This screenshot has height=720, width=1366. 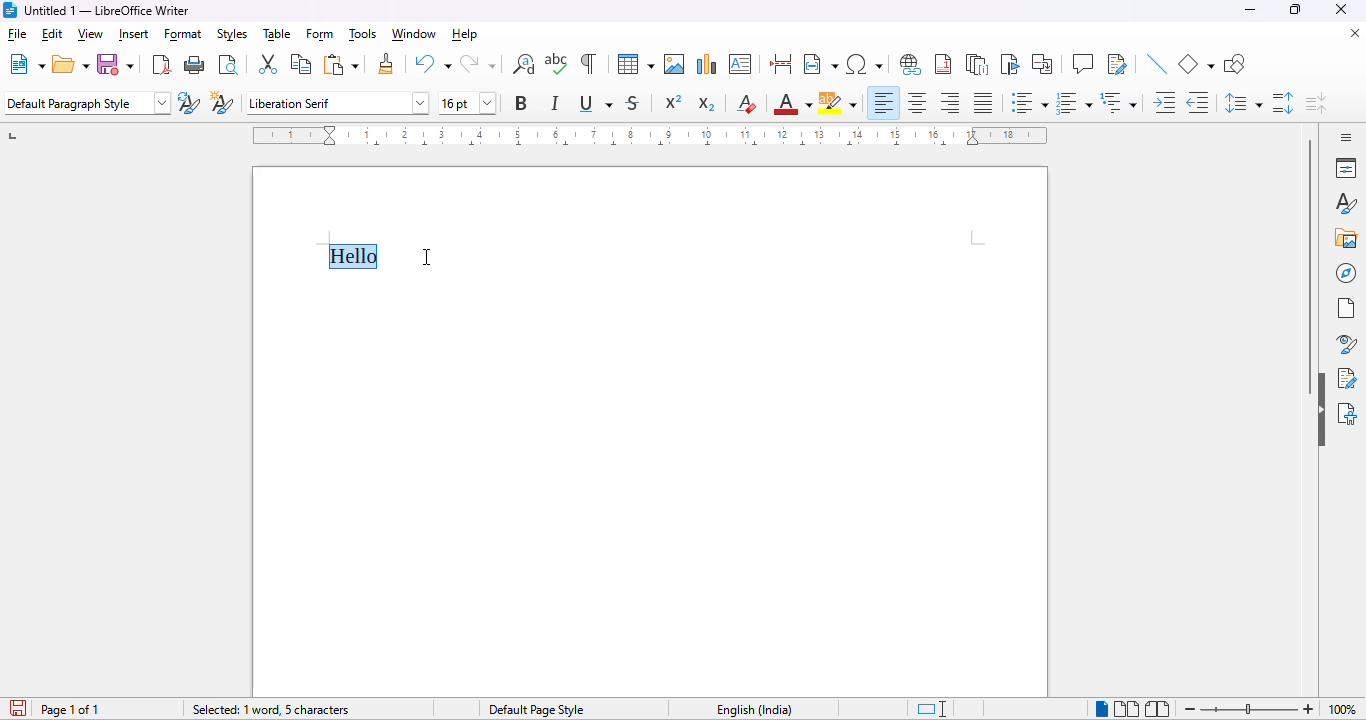 I want to click on select outline format, so click(x=1119, y=102).